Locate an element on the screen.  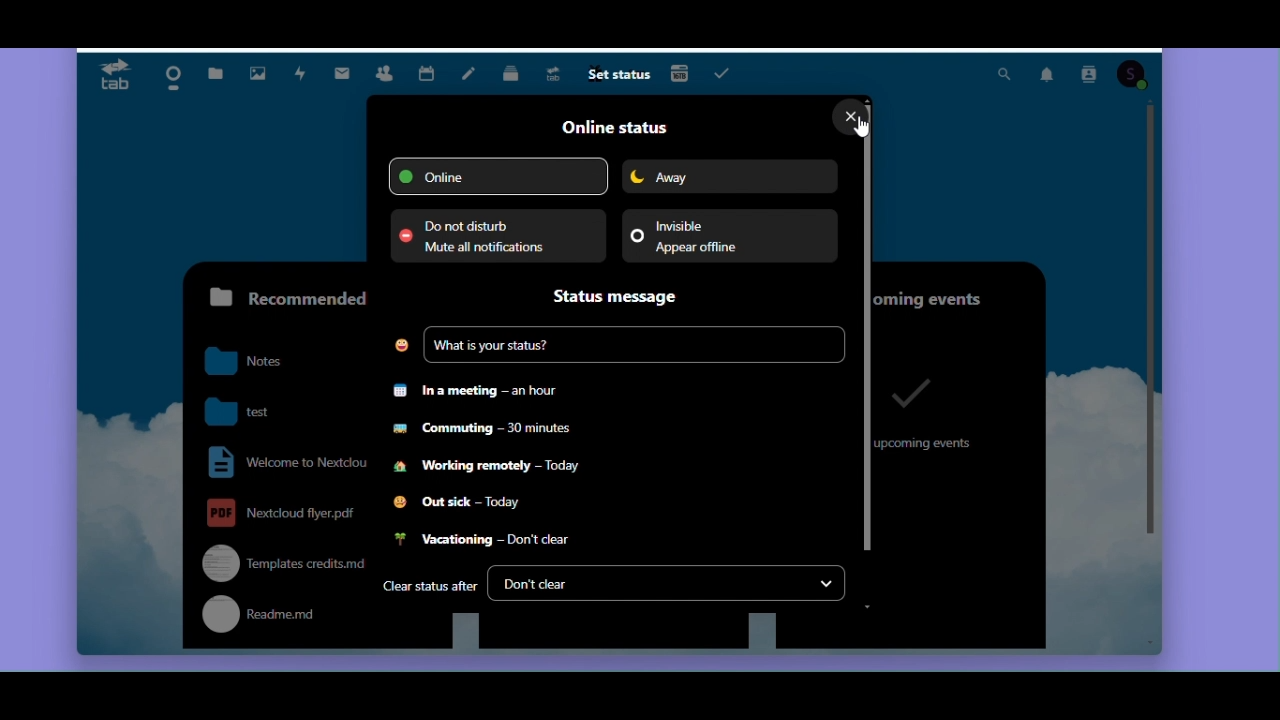
Online is located at coordinates (498, 176).